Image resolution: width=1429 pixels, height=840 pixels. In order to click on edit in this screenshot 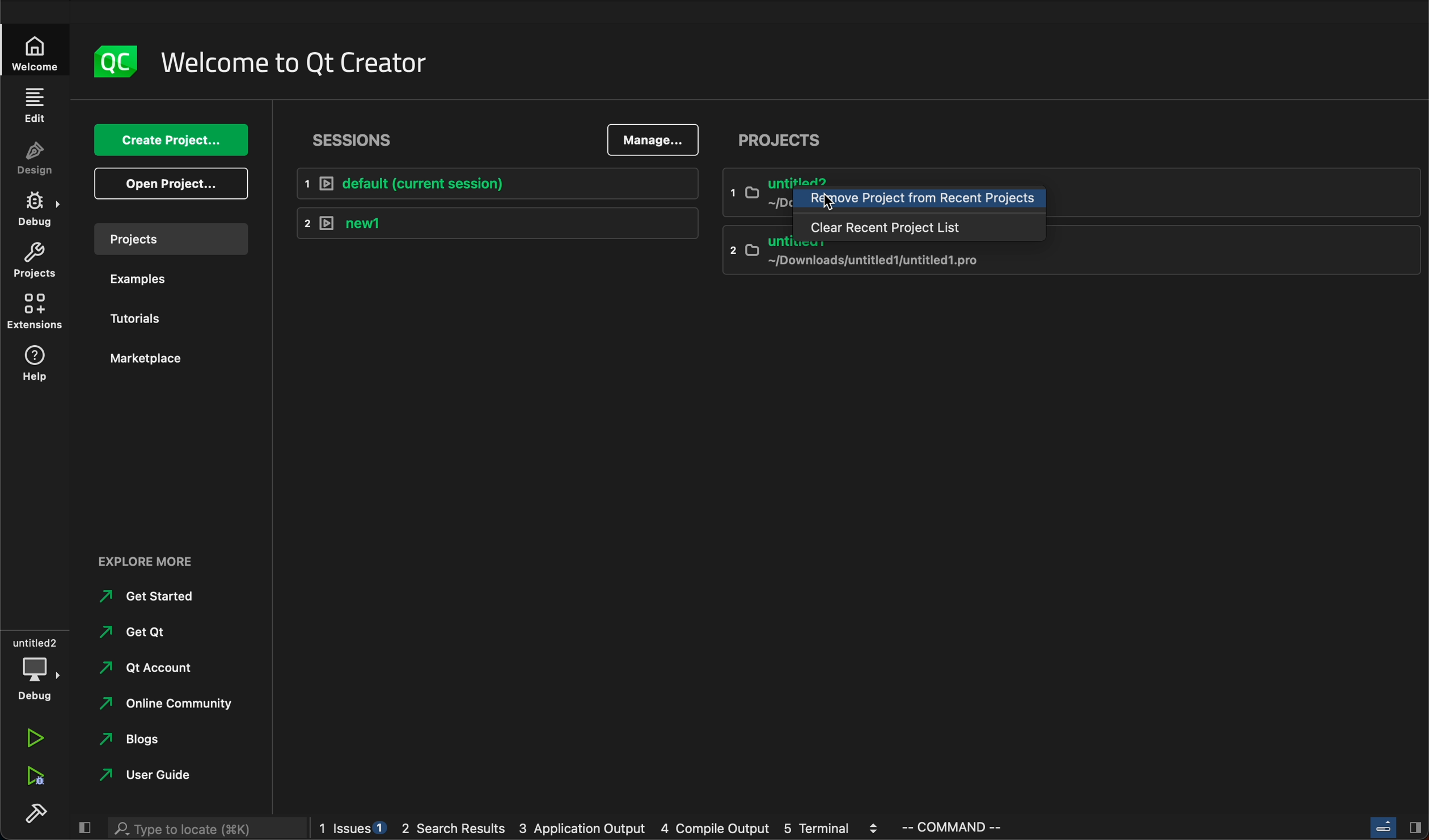, I will do `click(35, 101)`.